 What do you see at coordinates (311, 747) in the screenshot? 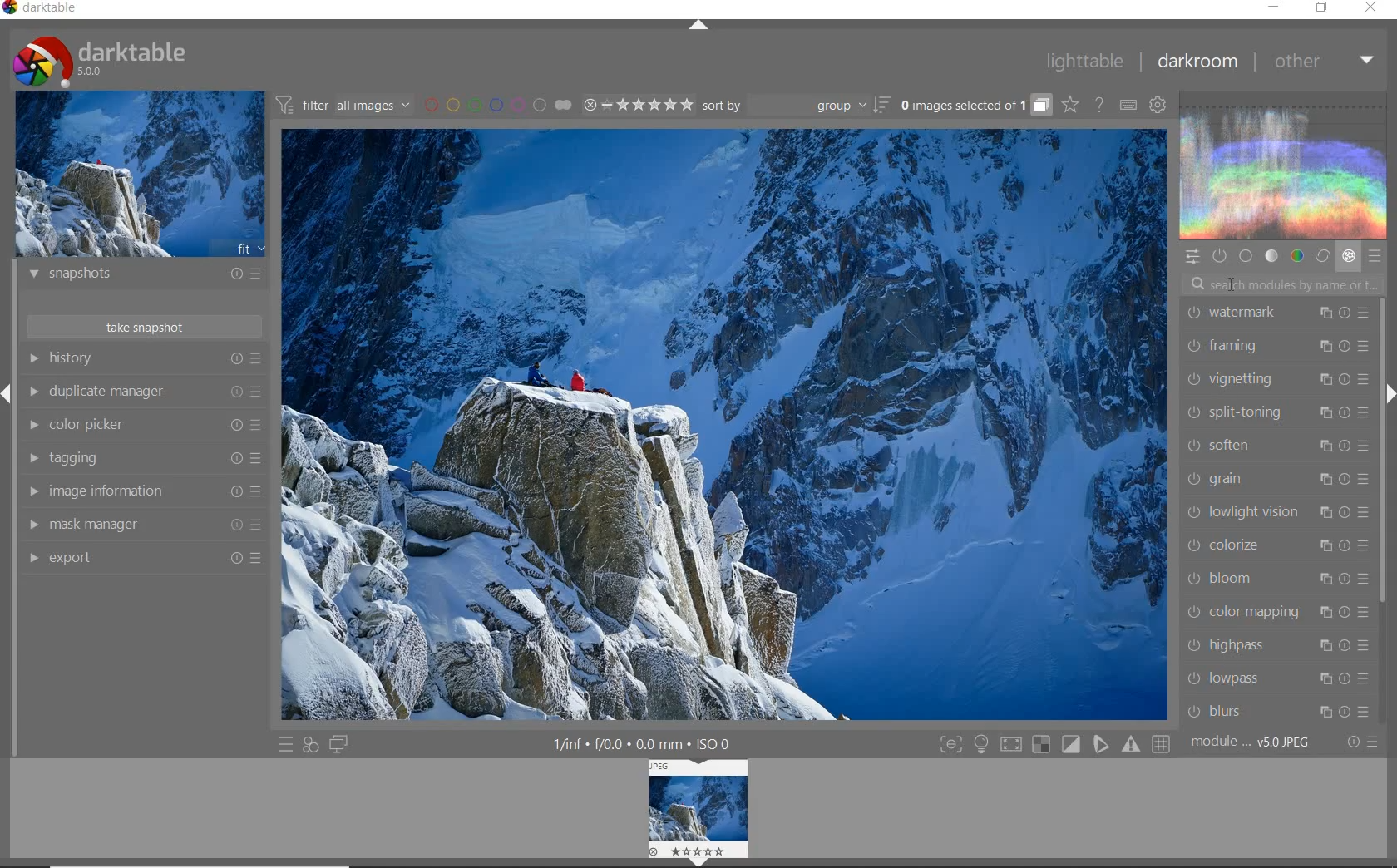
I see `quick access for applying any of your styles` at bounding box center [311, 747].